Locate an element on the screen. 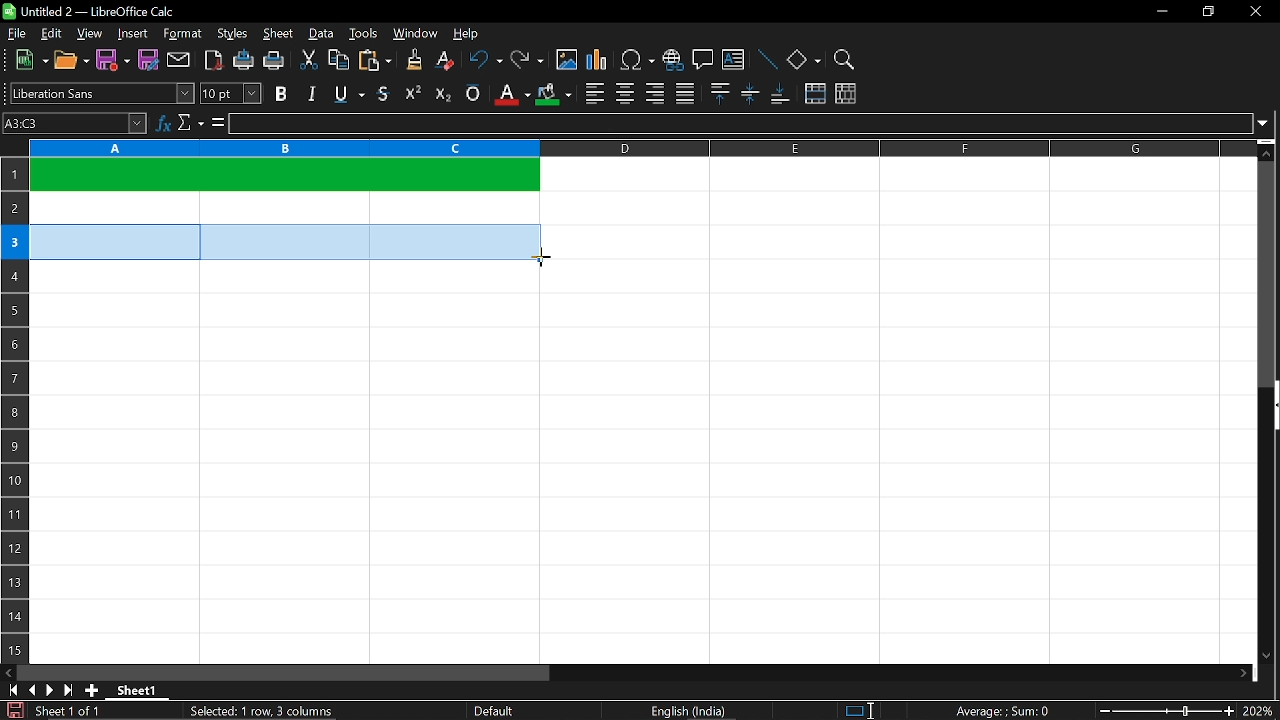 The height and width of the screenshot is (720, 1280). insert hyperlink is located at coordinates (672, 58).